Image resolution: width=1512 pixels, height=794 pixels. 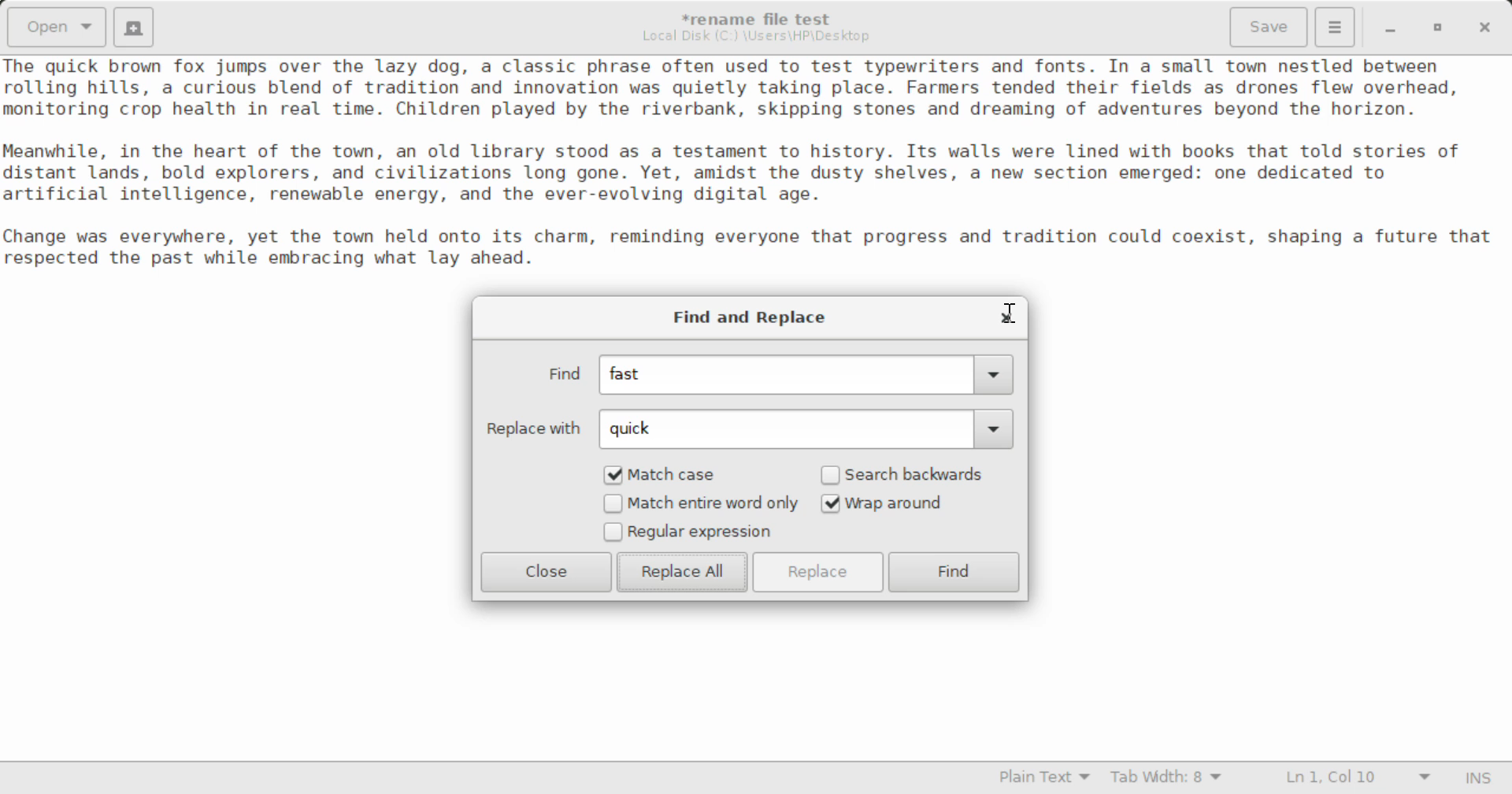 What do you see at coordinates (907, 474) in the screenshot?
I see `Search backwards` at bounding box center [907, 474].